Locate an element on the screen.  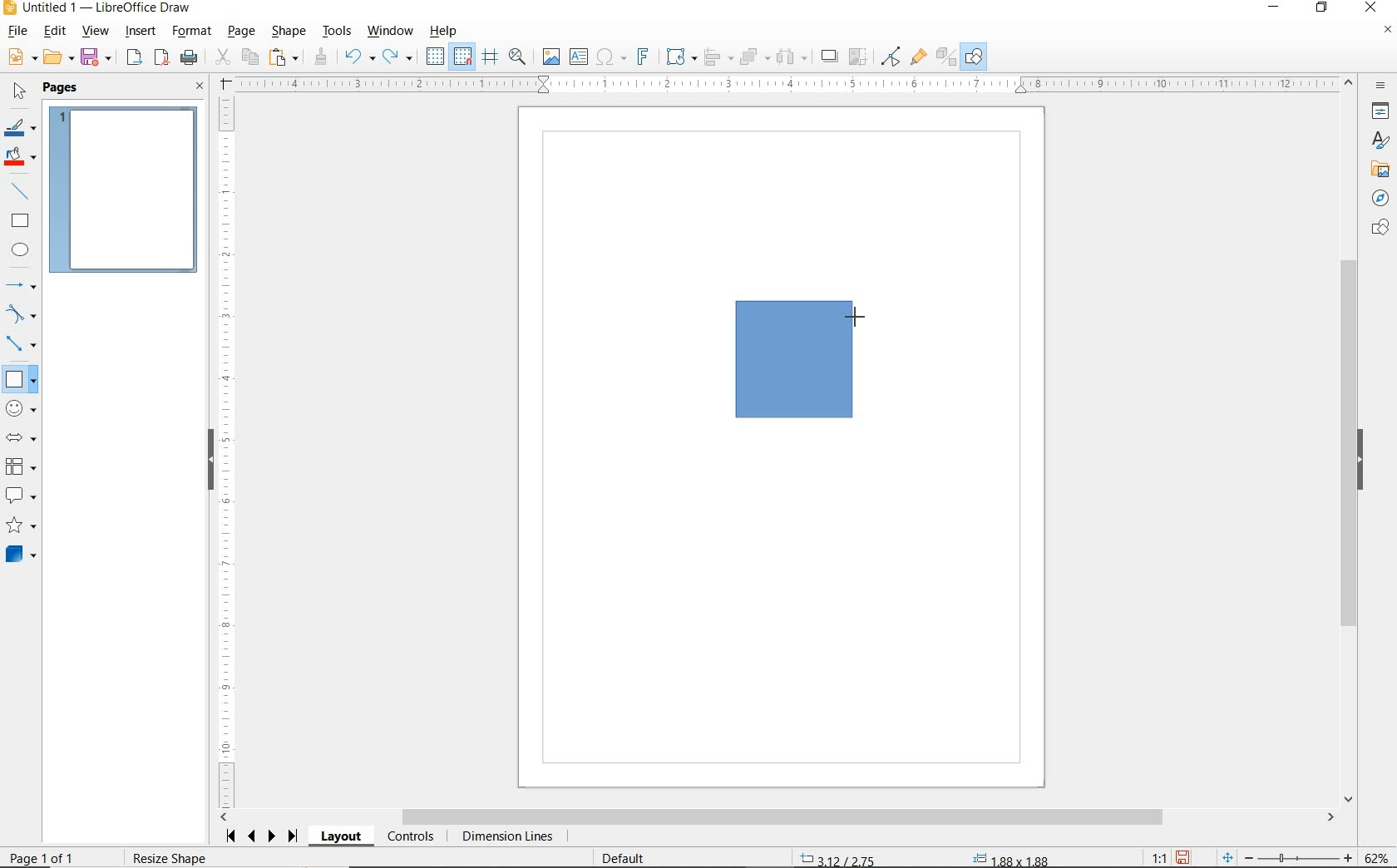
ALIGN OBJECTS is located at coordinates (718, 57).